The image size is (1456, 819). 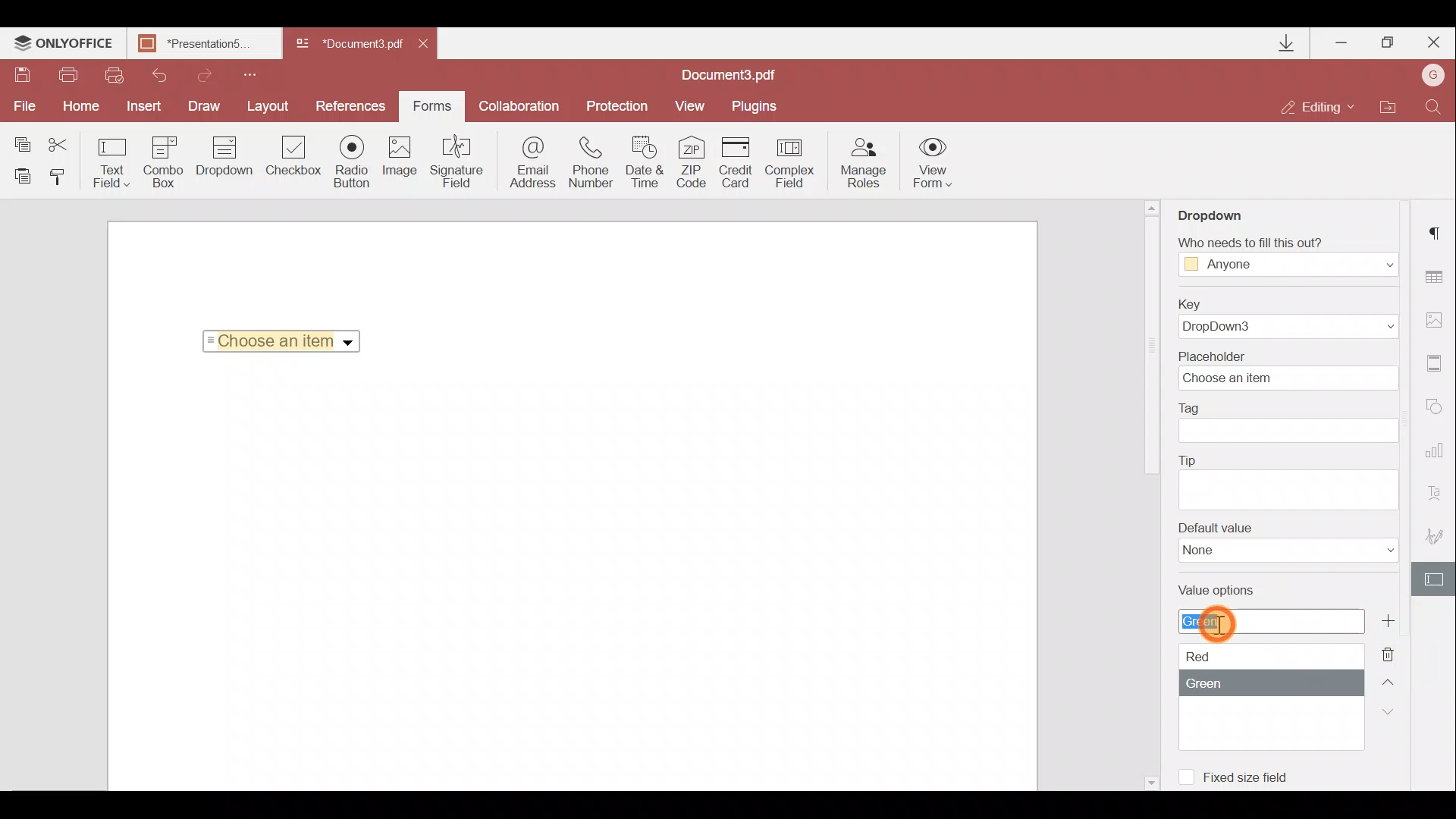 I want to click on Selected Item, so click(x=277, y=340).